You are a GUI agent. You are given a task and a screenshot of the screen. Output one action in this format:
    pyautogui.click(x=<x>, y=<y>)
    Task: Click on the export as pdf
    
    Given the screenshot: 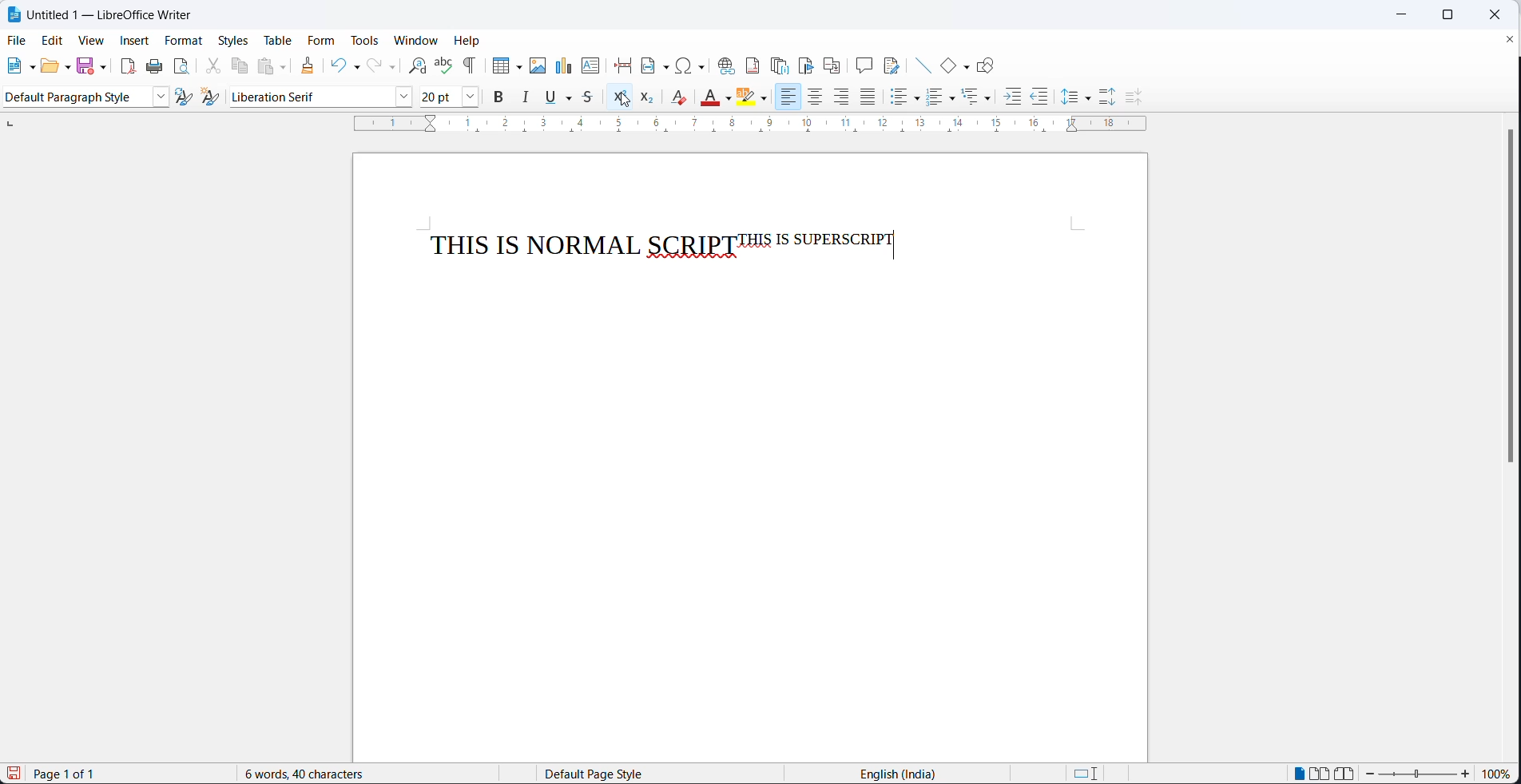 What is the action you would take?
    pyautogui.click(x=127, y=65)
    